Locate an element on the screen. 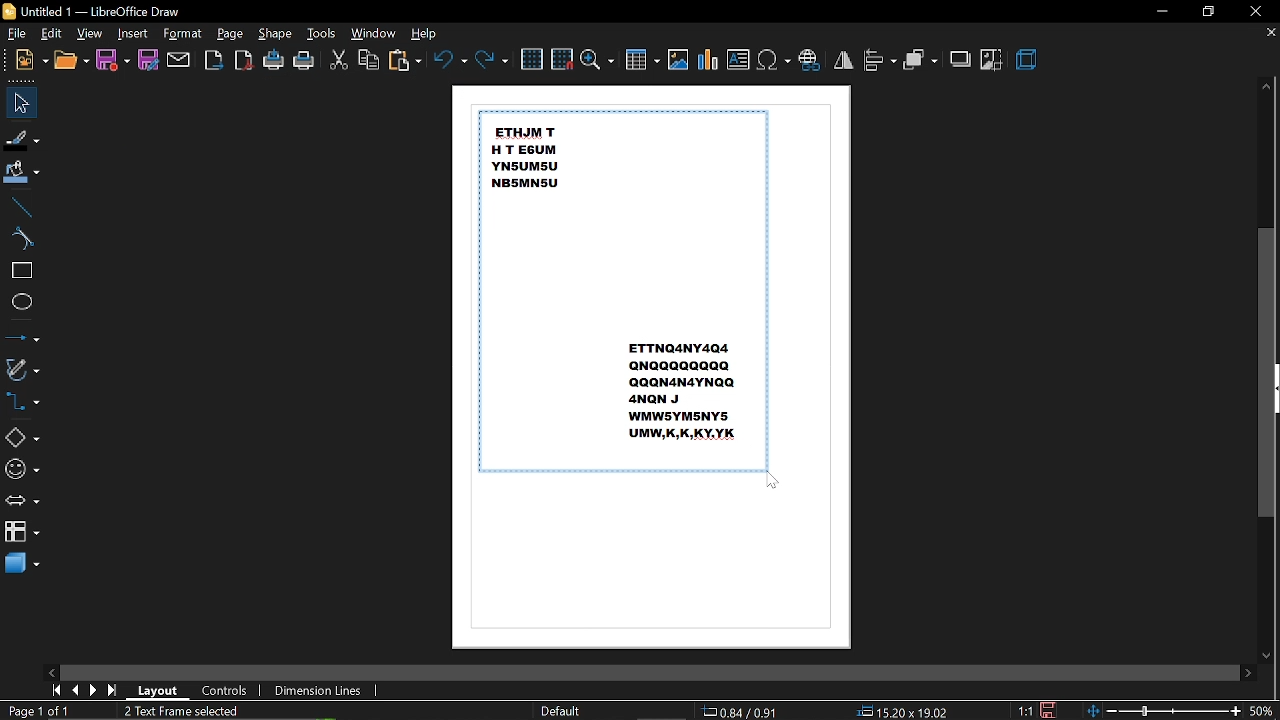 This screenshot has width=1280, height=720. shape is located at coordinates (274, 34).